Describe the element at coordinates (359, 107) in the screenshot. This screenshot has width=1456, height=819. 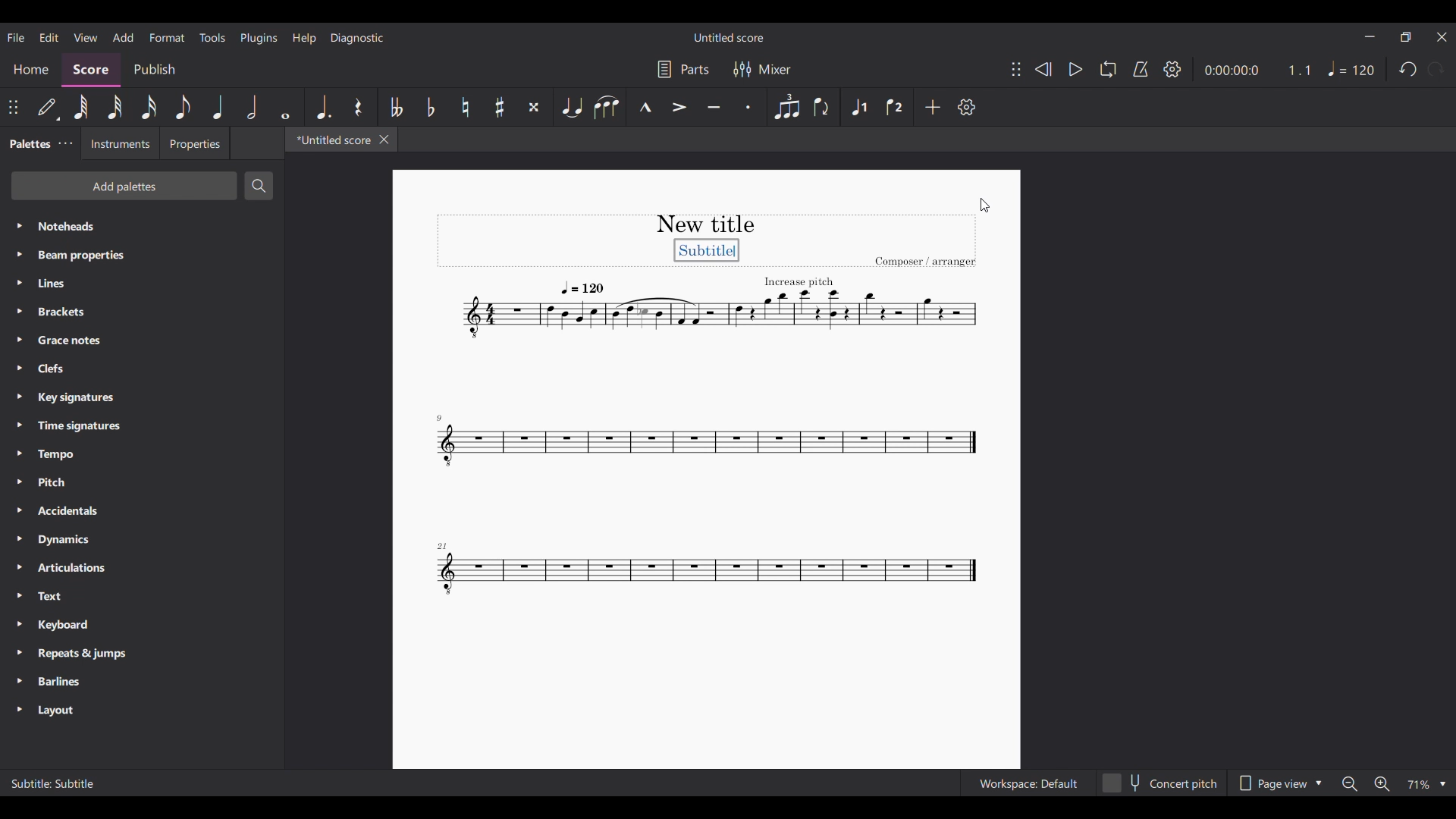
I see `Rest` at that location.